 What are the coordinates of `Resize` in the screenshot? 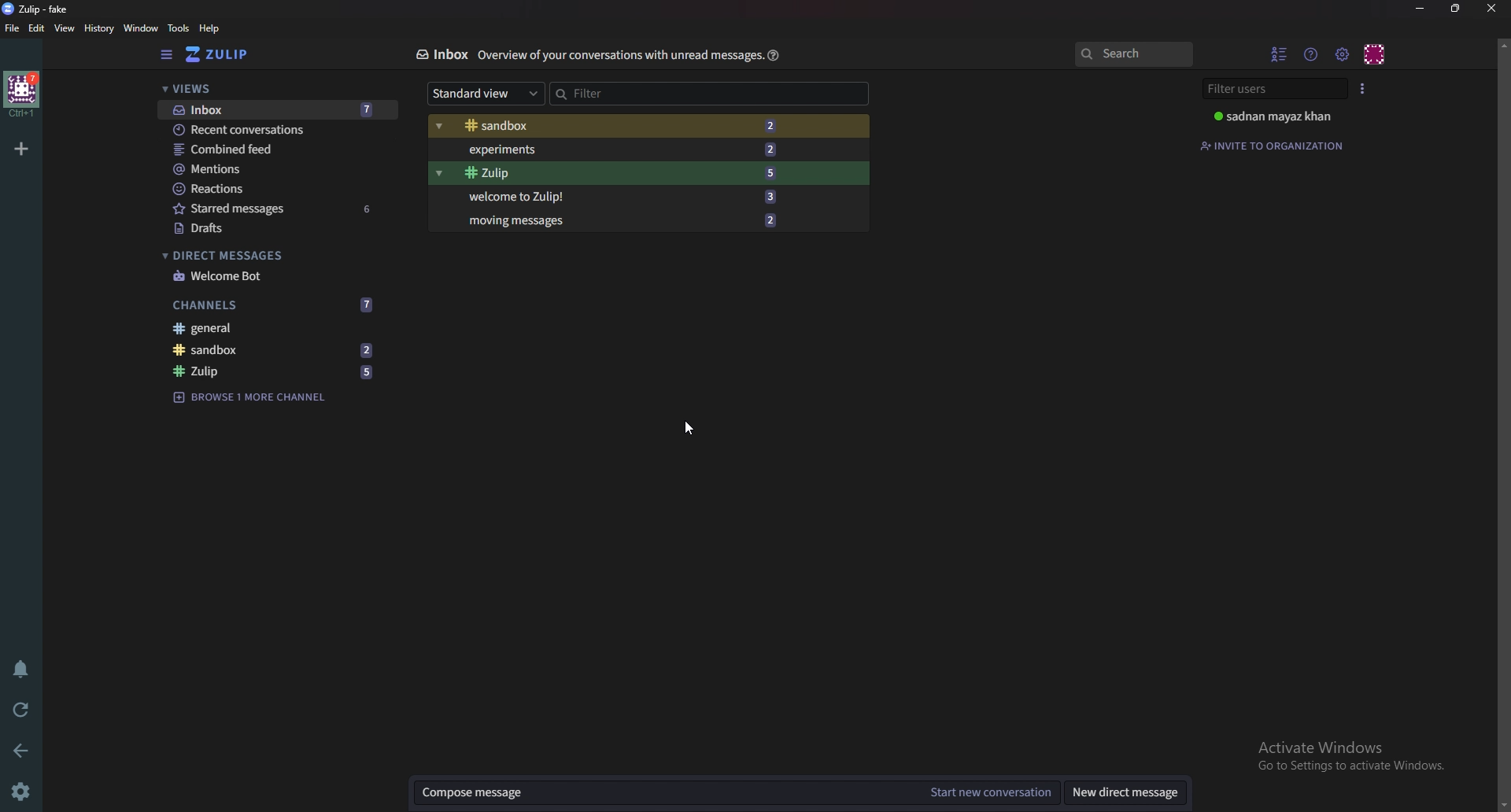 It's located at (1458, 8).